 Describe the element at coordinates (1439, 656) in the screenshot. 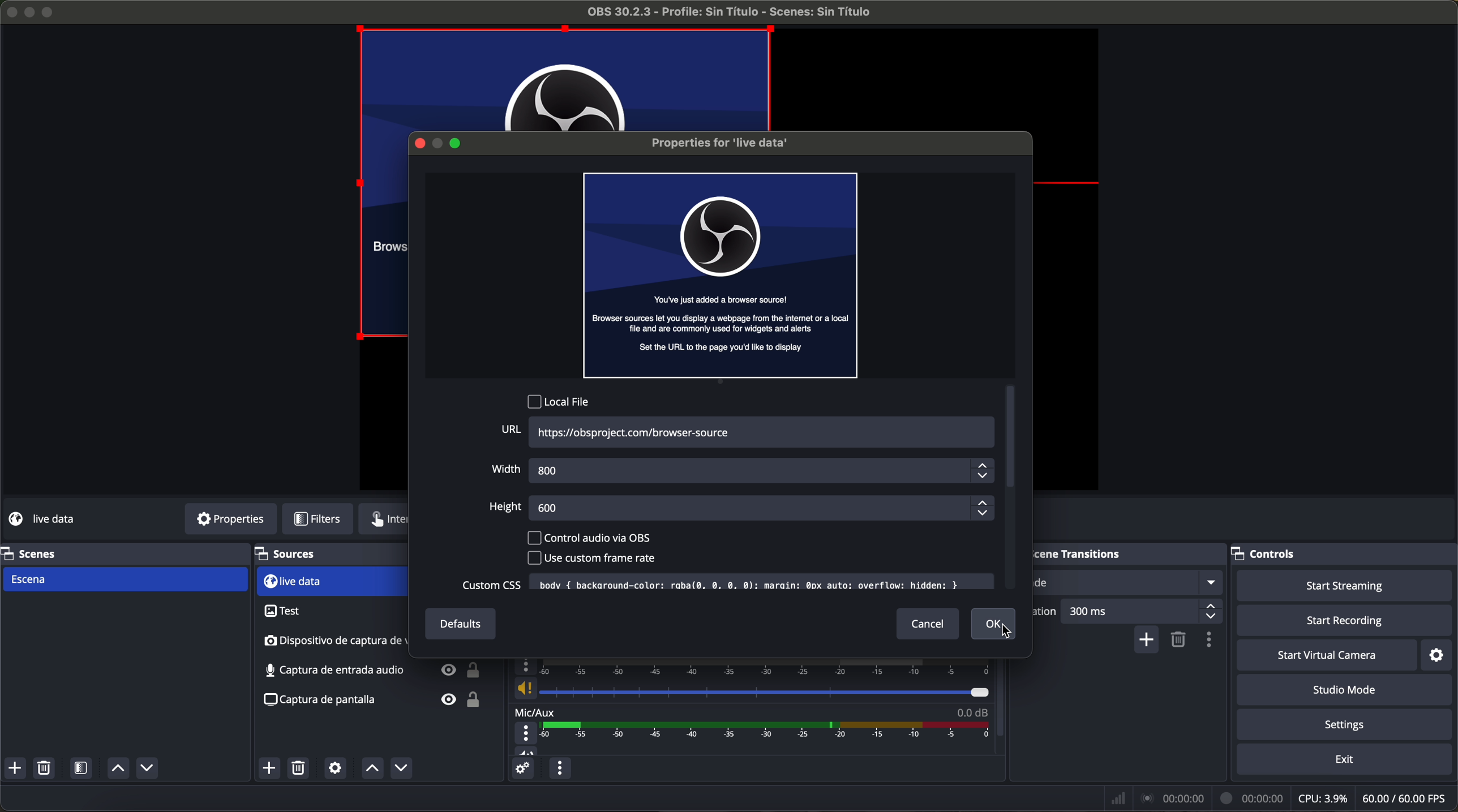

I see `settings` at that location.